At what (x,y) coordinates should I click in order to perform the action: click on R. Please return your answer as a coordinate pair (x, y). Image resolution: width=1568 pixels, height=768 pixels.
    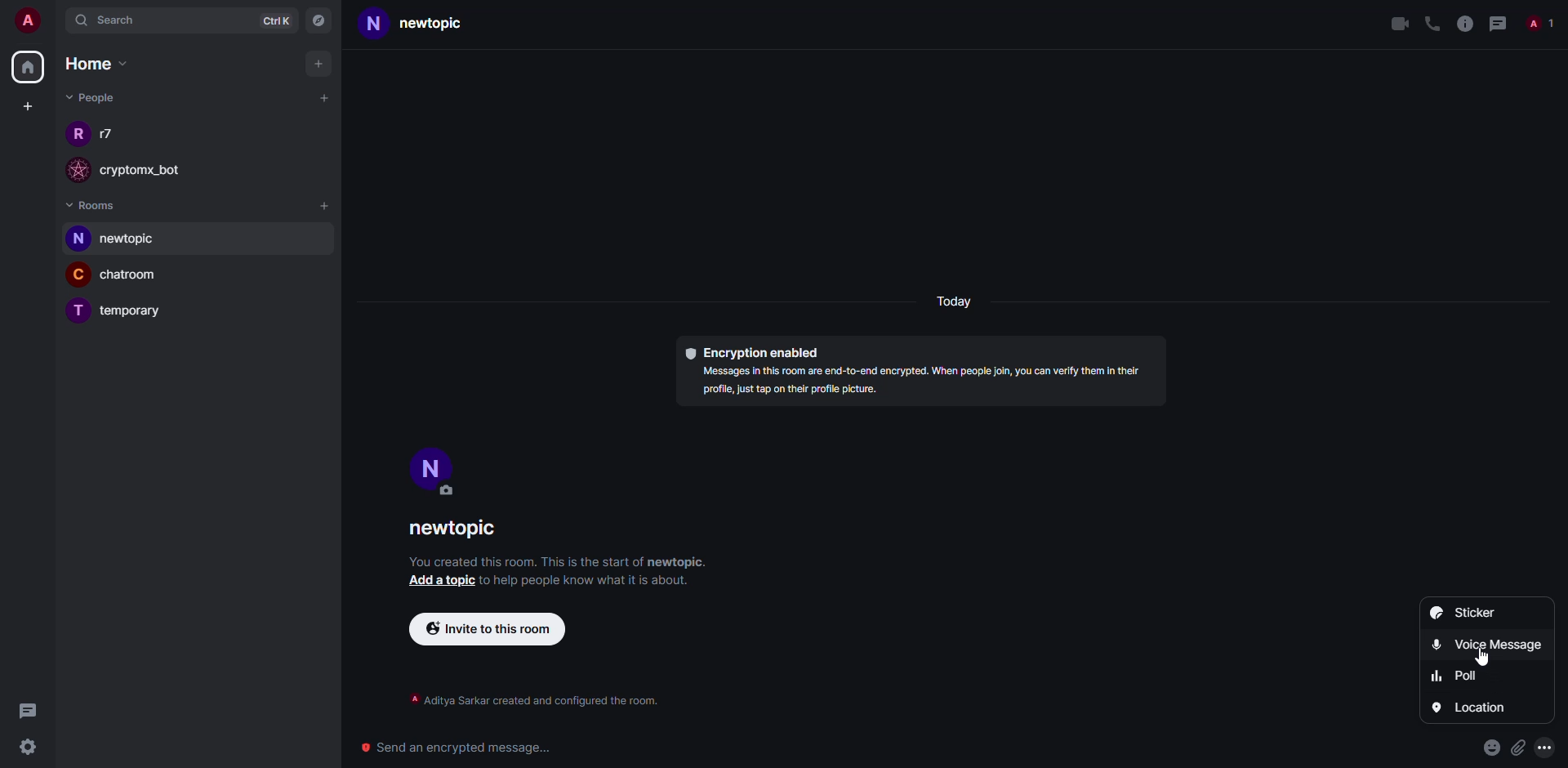
    Looking at the image, I should click on (73, 135).